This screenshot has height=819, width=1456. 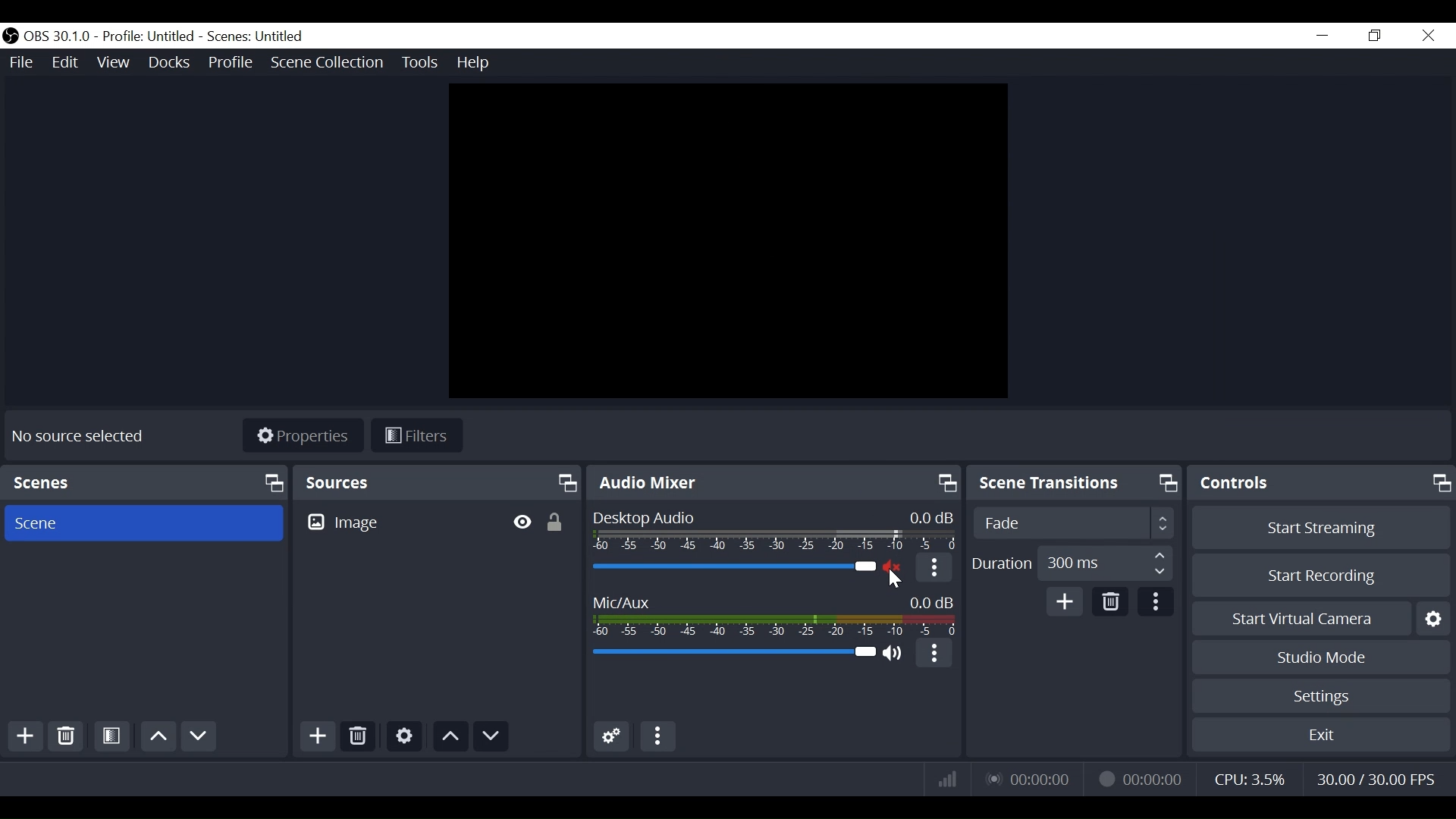 What do you see at coordinates (1298, 618) in the screenshot?
I see `Start Virtual Camera` at bounding box center [1298, 618].